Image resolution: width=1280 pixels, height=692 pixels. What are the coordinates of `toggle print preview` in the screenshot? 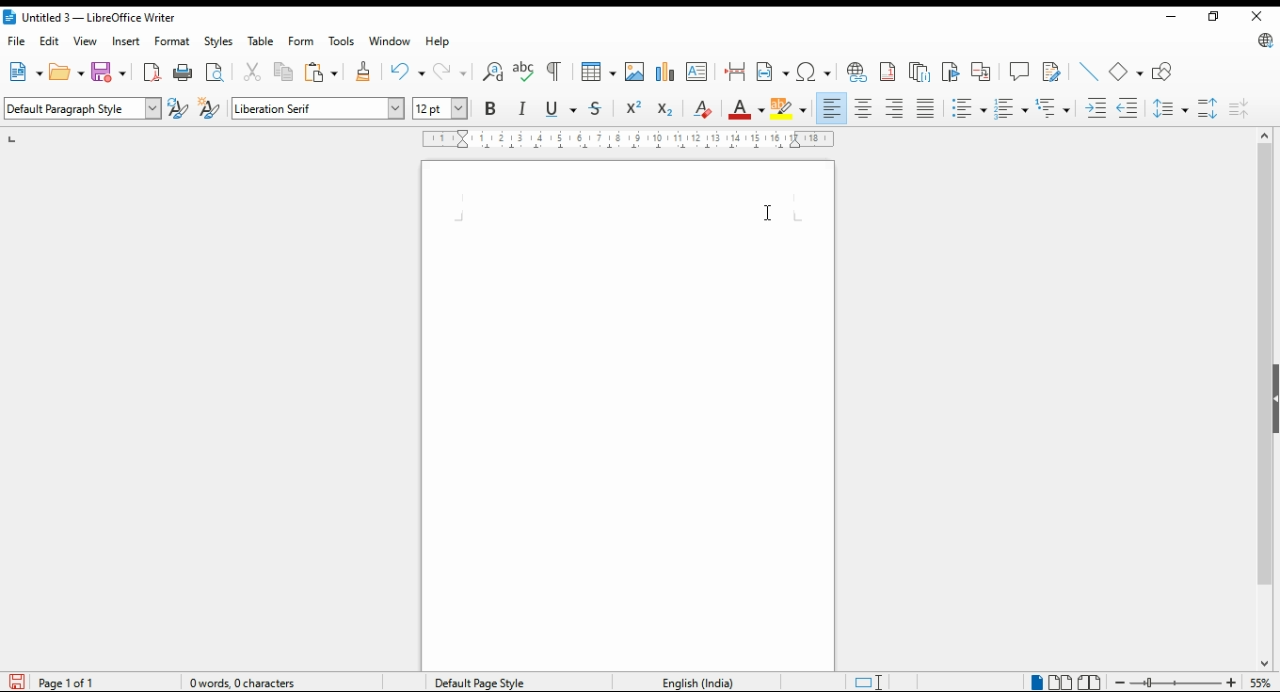 It's located at (216, 70).